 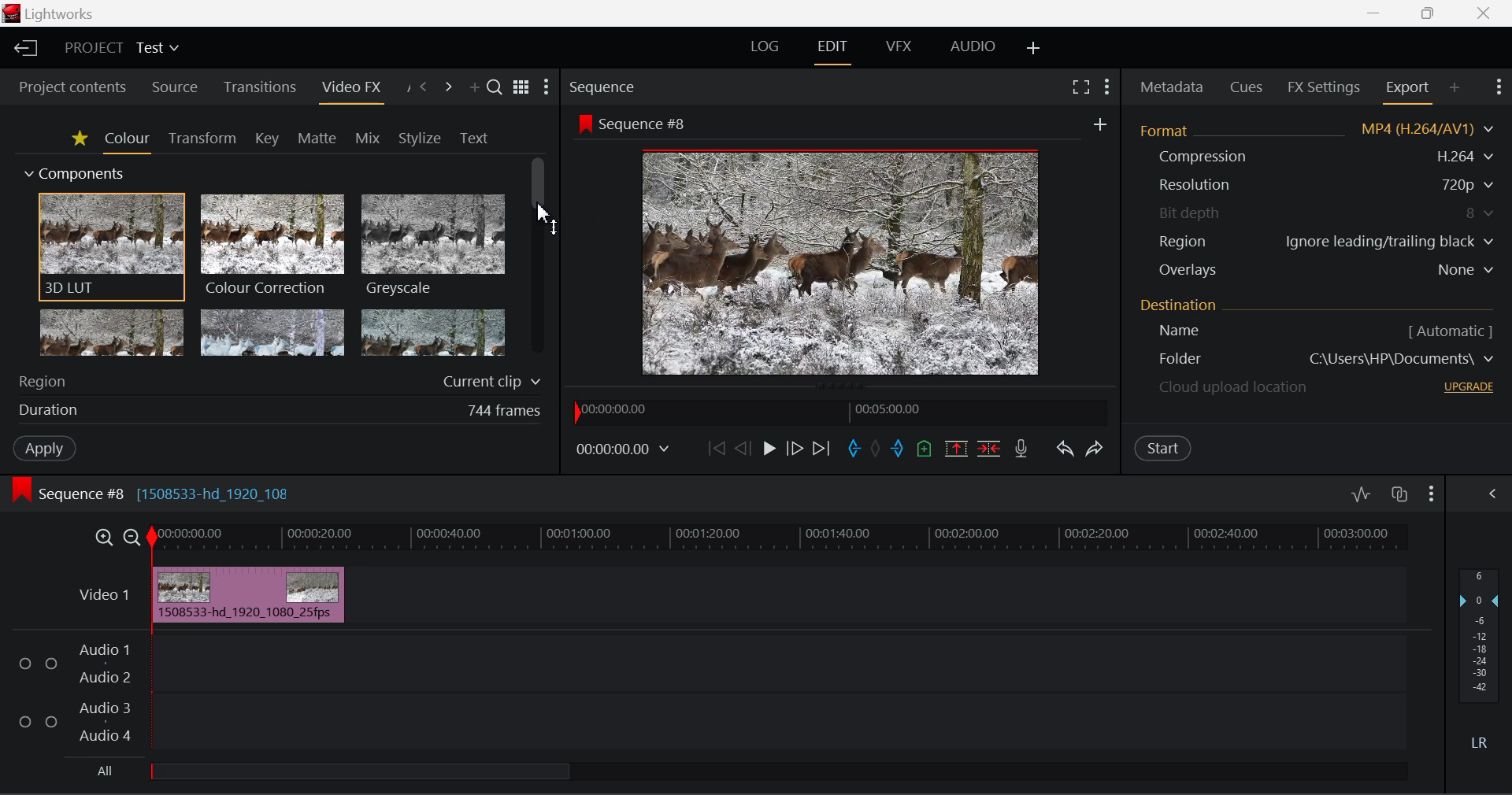 What do you see at coordinates (472, 87) in the screenshot?
I see `Add Panel` at bounding box center [472, 87].